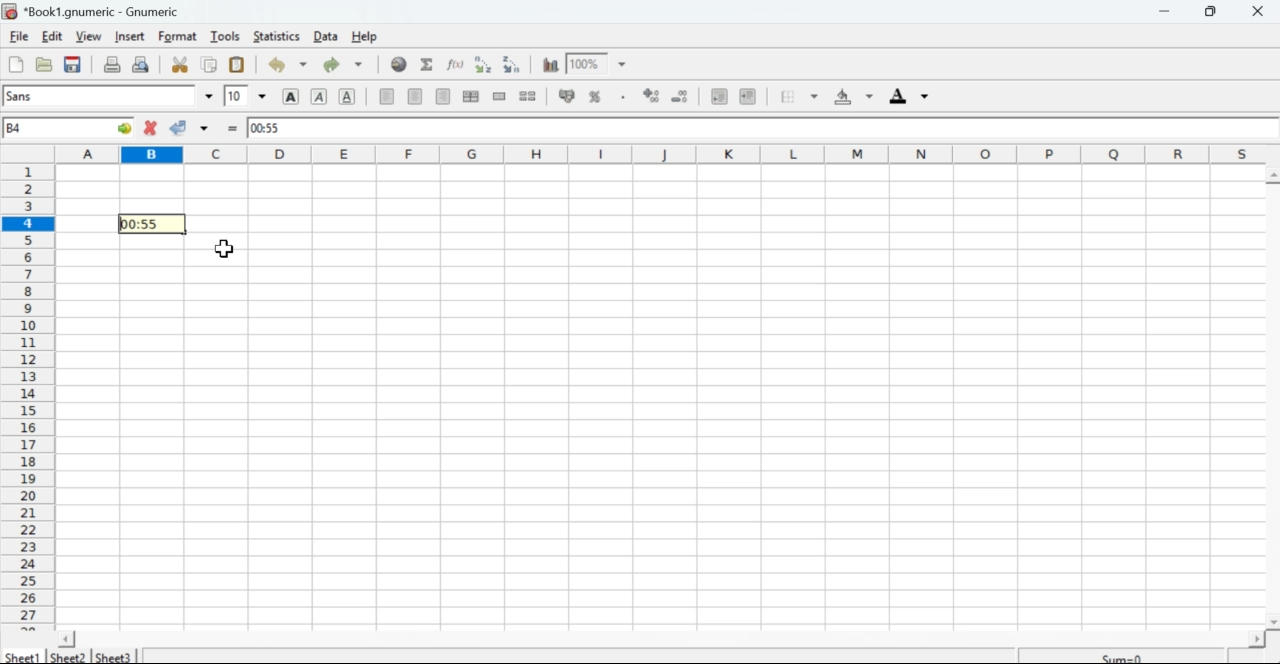 This screenshot has height=664, width=1280. I want to click on scroll up, so click(1272, 176).